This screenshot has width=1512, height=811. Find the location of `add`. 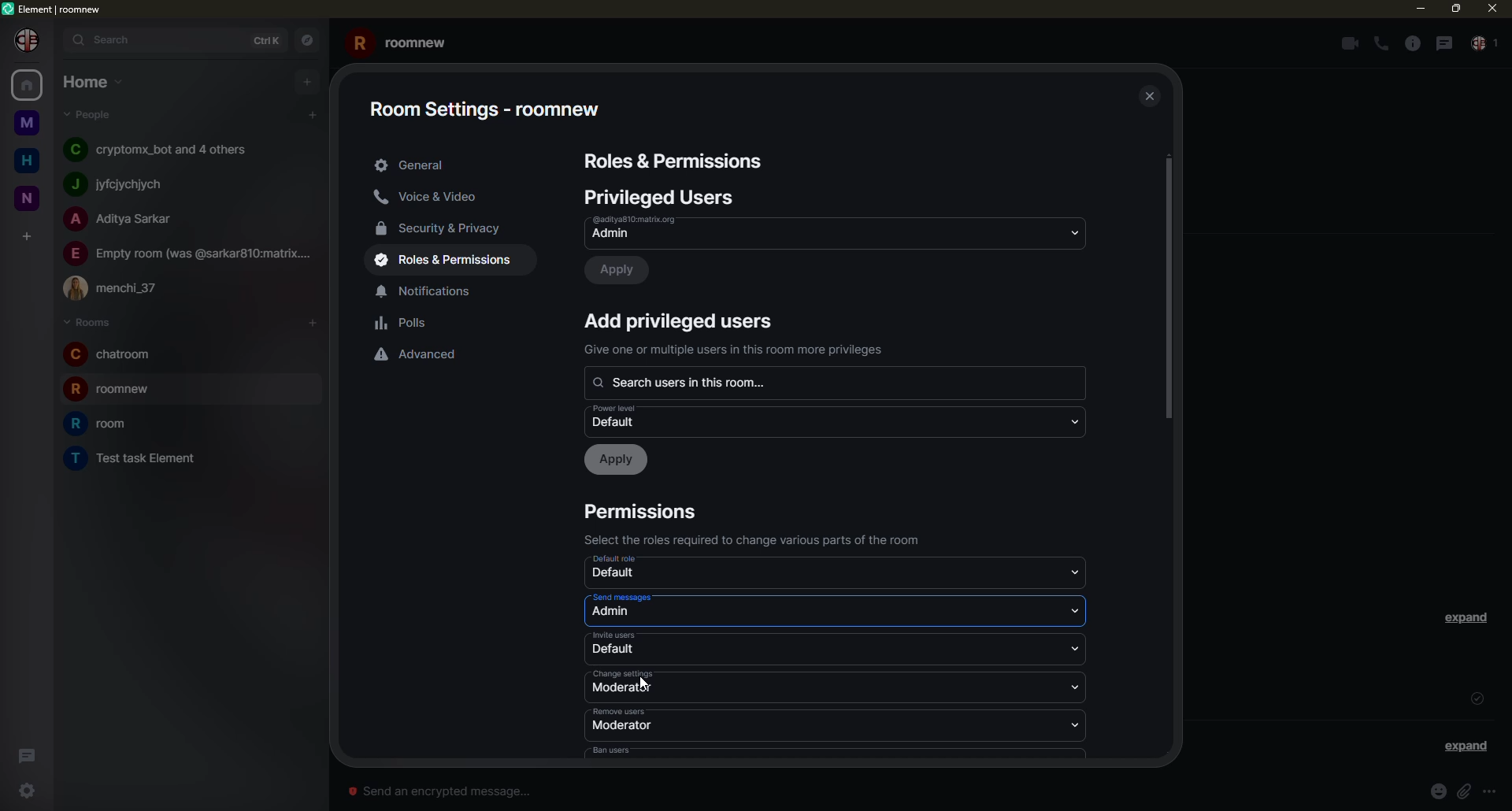

add is located at coordinates (306, 82).